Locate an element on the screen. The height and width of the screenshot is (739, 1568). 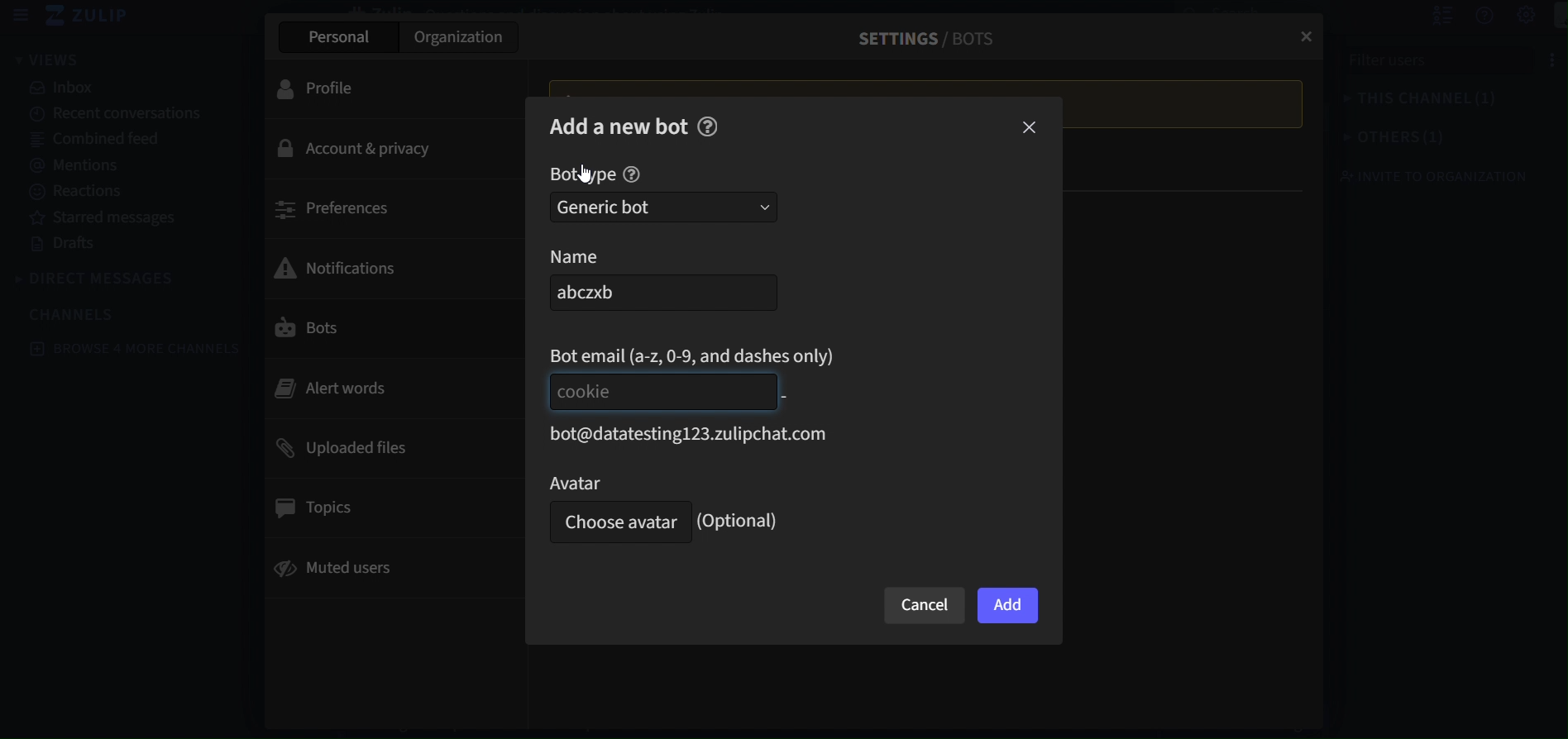
zulip is located at coordinates (93, 17).